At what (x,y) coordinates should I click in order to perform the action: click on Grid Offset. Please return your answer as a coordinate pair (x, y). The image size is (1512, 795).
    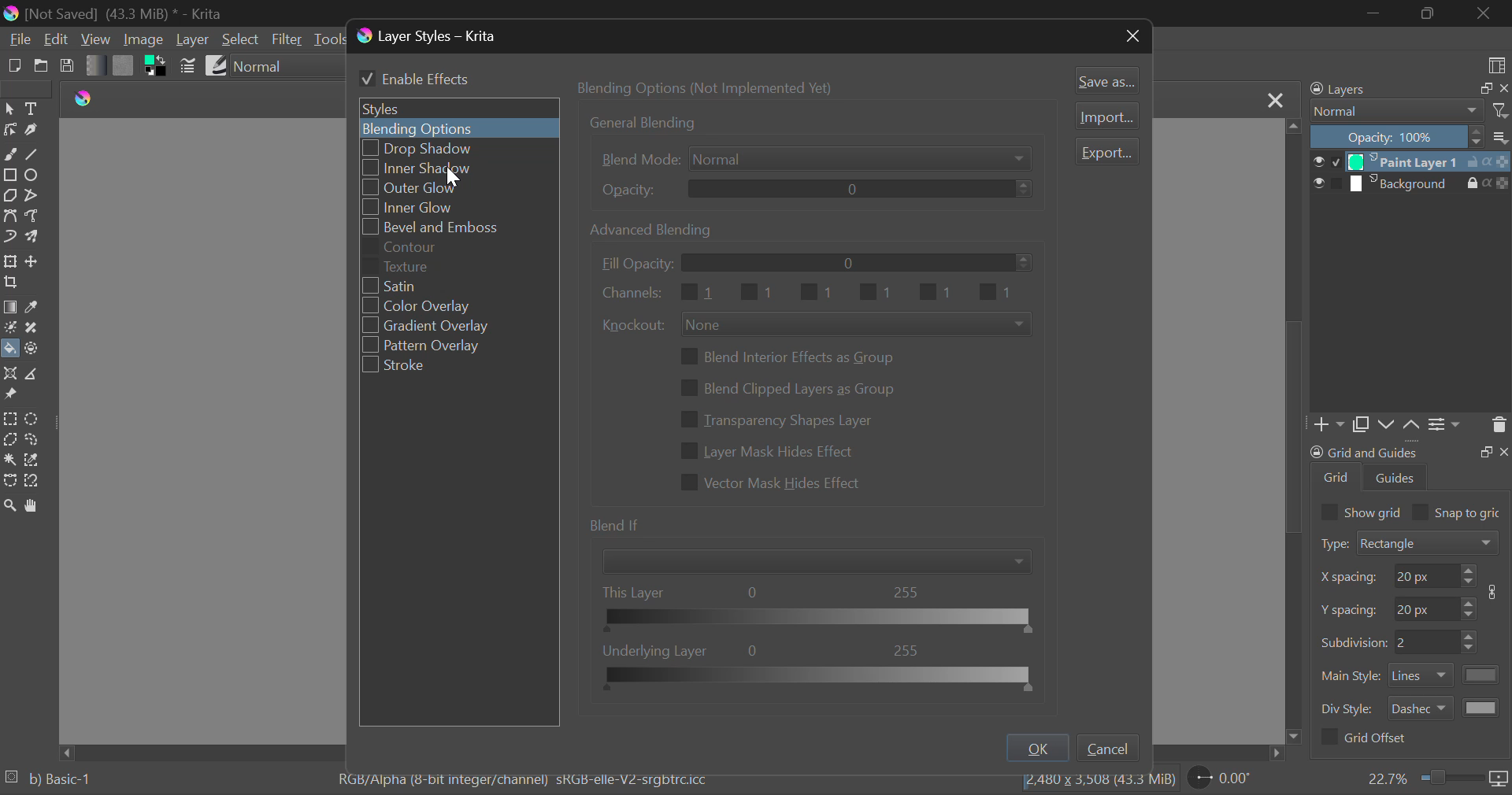
    Looking at the image, I should click on (1367, 739).